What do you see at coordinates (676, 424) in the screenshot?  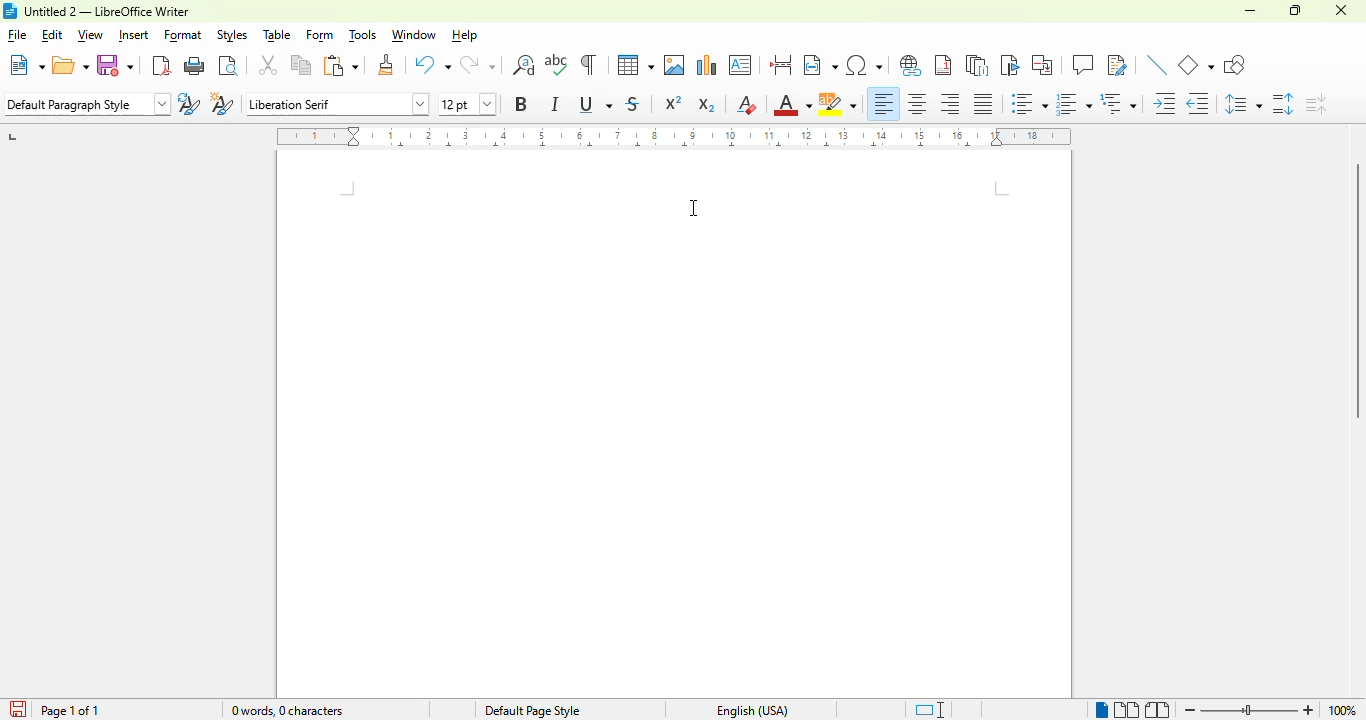 I see `A4 default page size` at bounding box center [676, 424].